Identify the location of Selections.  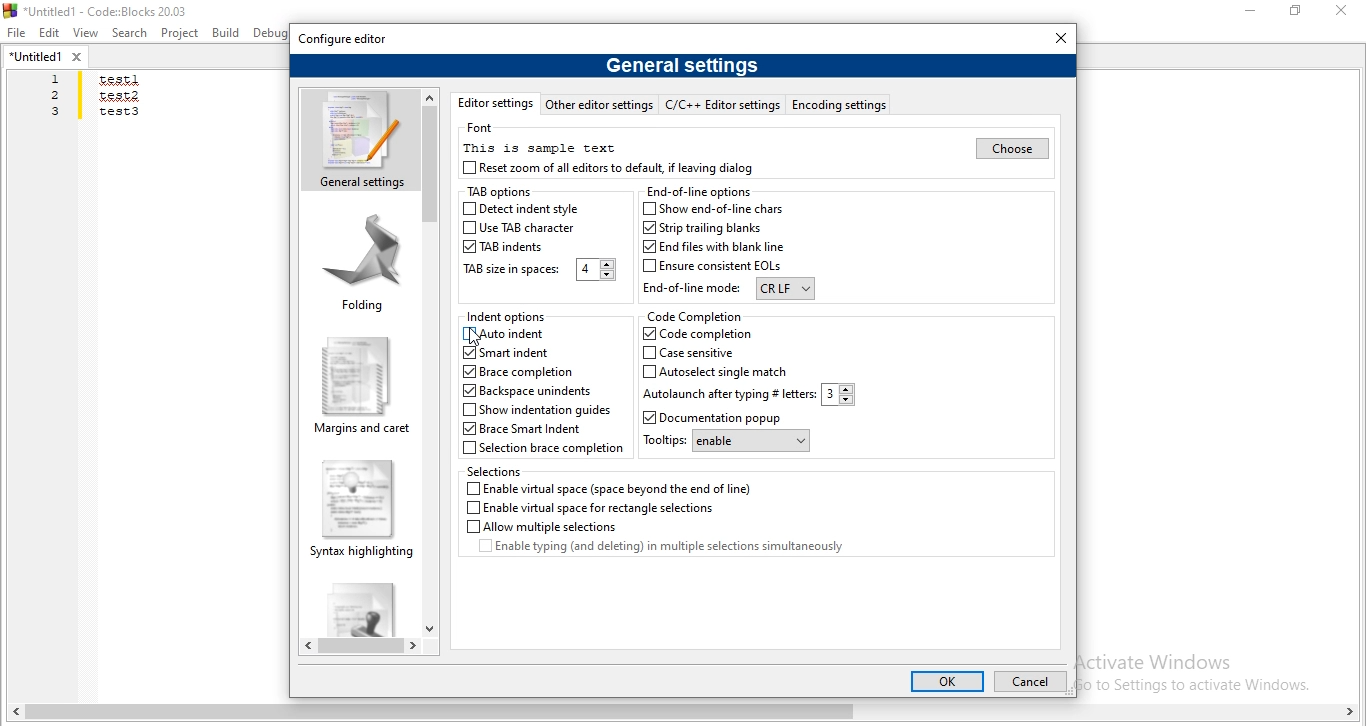
(498, 471).